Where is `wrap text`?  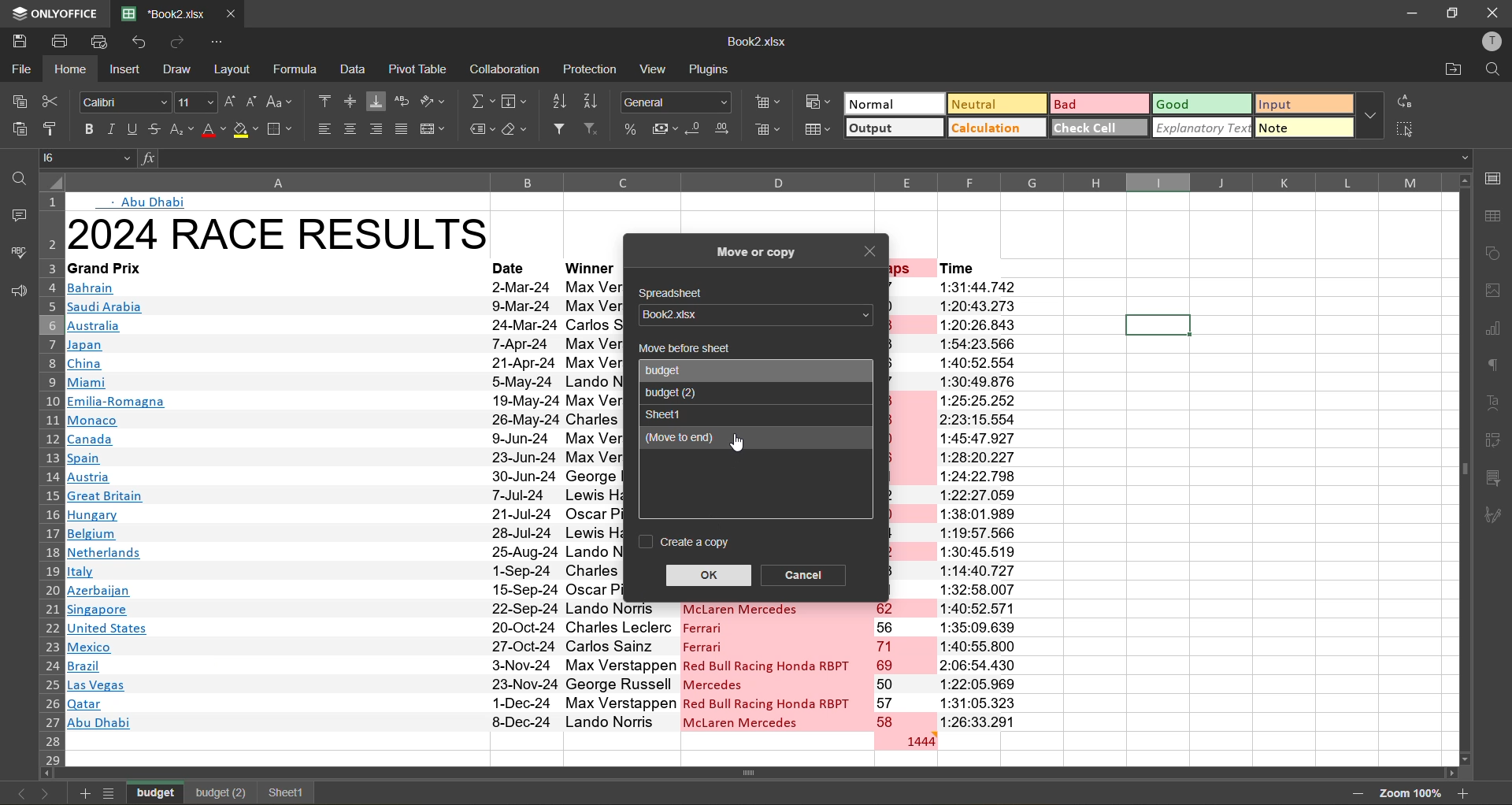
wrap text is located at coordinates (406, 102).